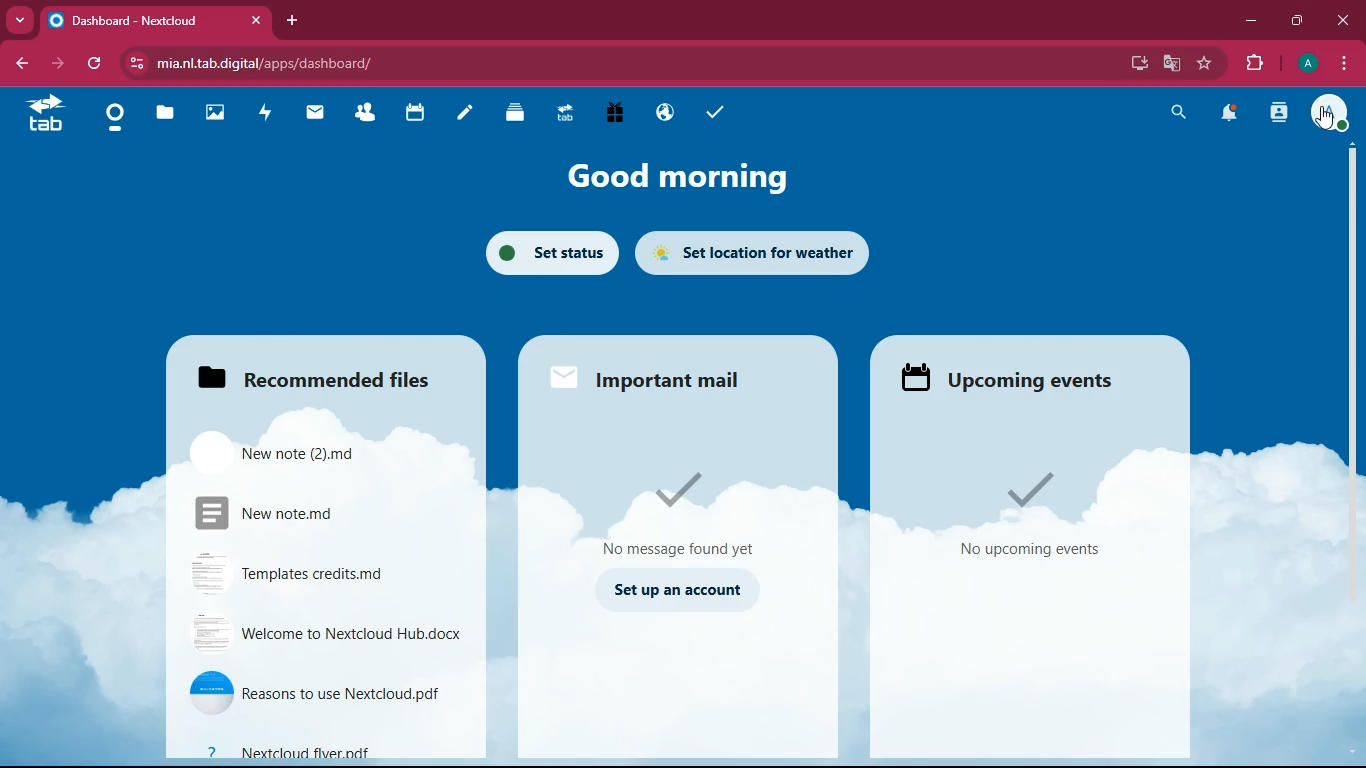  I want to click on set location, so click(756, 255).